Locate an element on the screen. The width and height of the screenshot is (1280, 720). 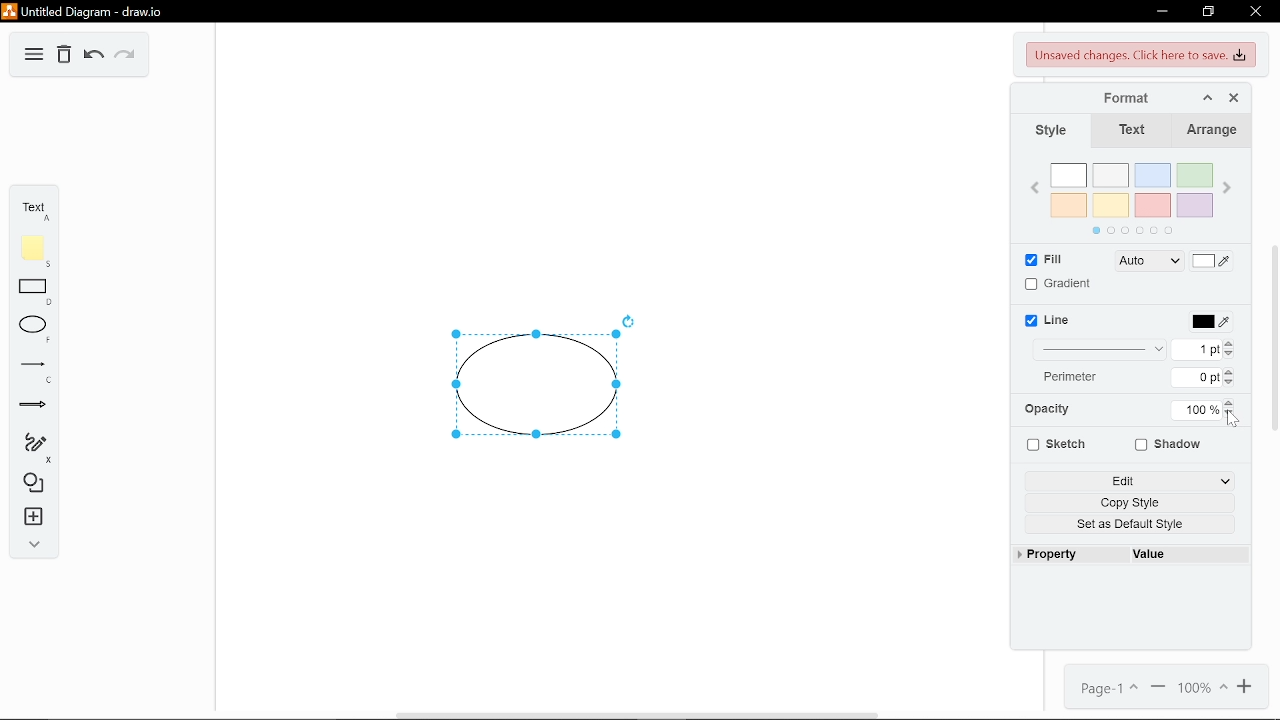
Curretn perimeter is located at coordinates (1198, 378).